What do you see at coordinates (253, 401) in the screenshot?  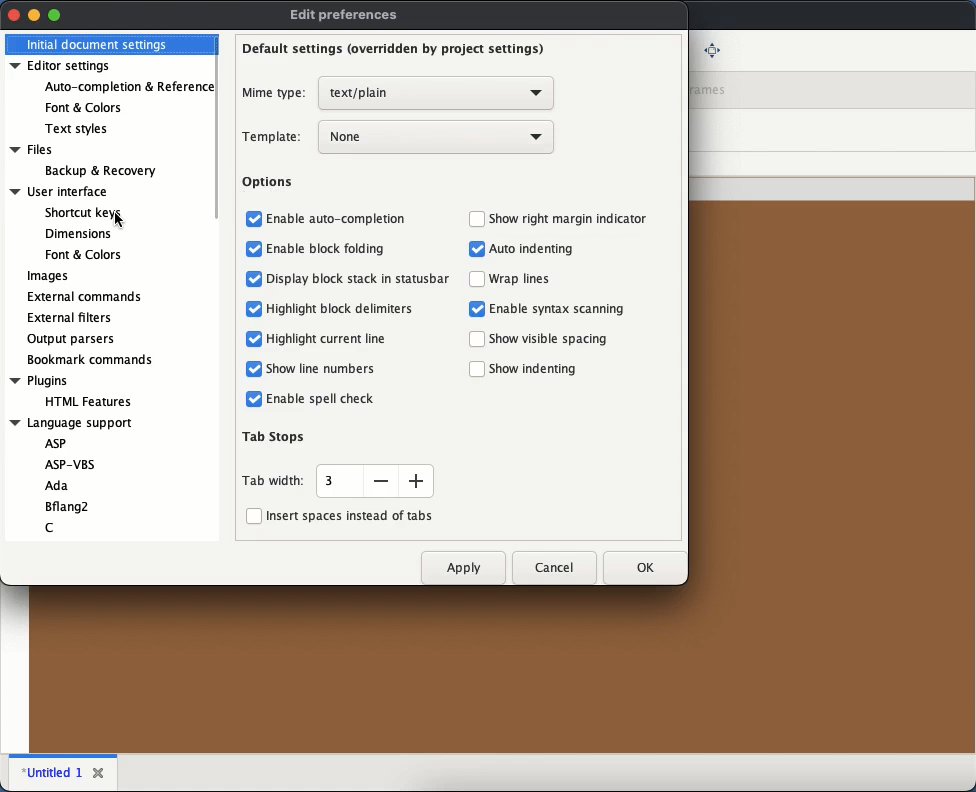 I see `checkbox enabled` at bounding box center [253, 401].